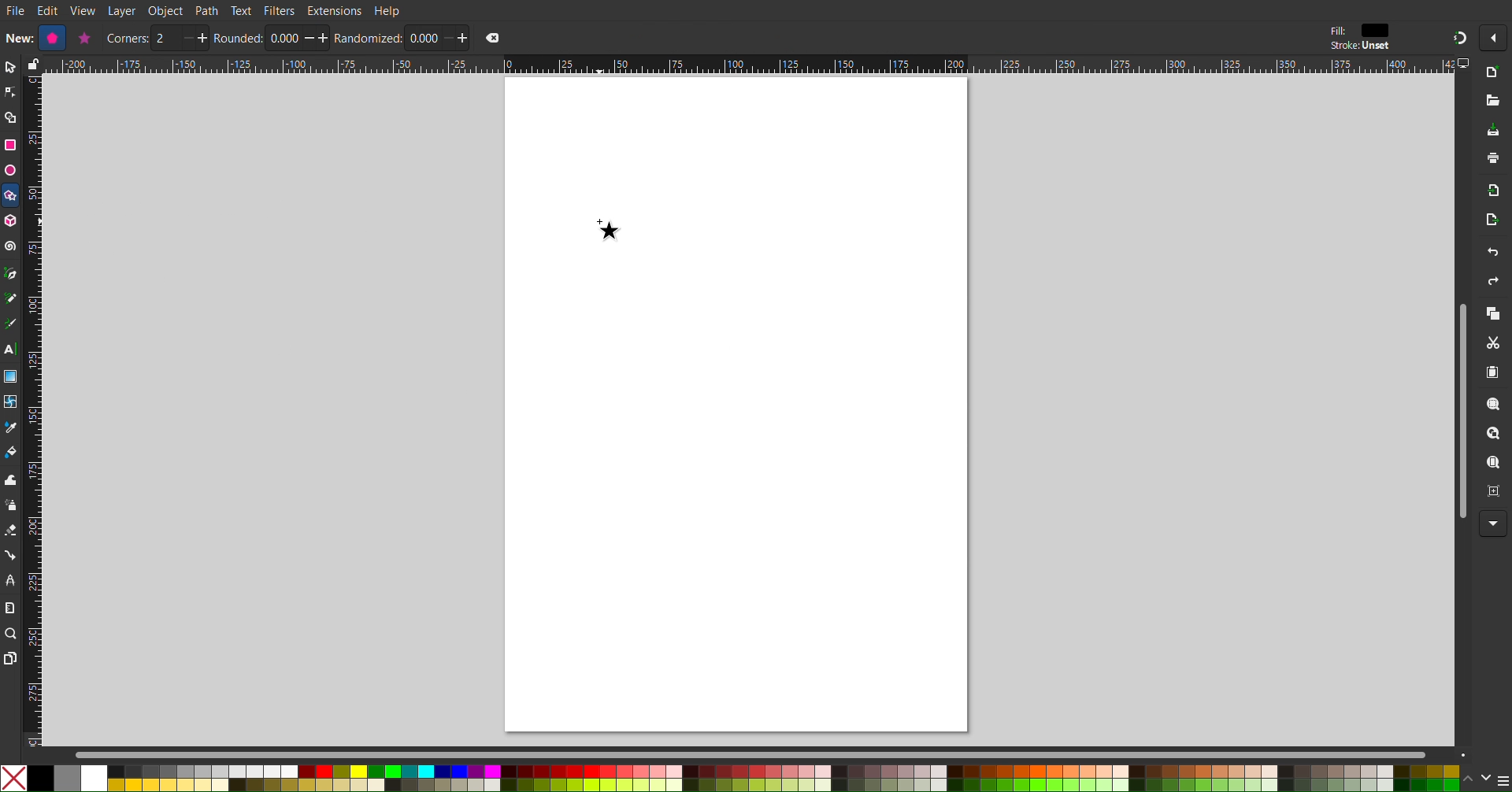 The image size is (1512, 792). Describe the element at coordinates (1493, 222) in the screenshot. I see `Open Export` at that location.